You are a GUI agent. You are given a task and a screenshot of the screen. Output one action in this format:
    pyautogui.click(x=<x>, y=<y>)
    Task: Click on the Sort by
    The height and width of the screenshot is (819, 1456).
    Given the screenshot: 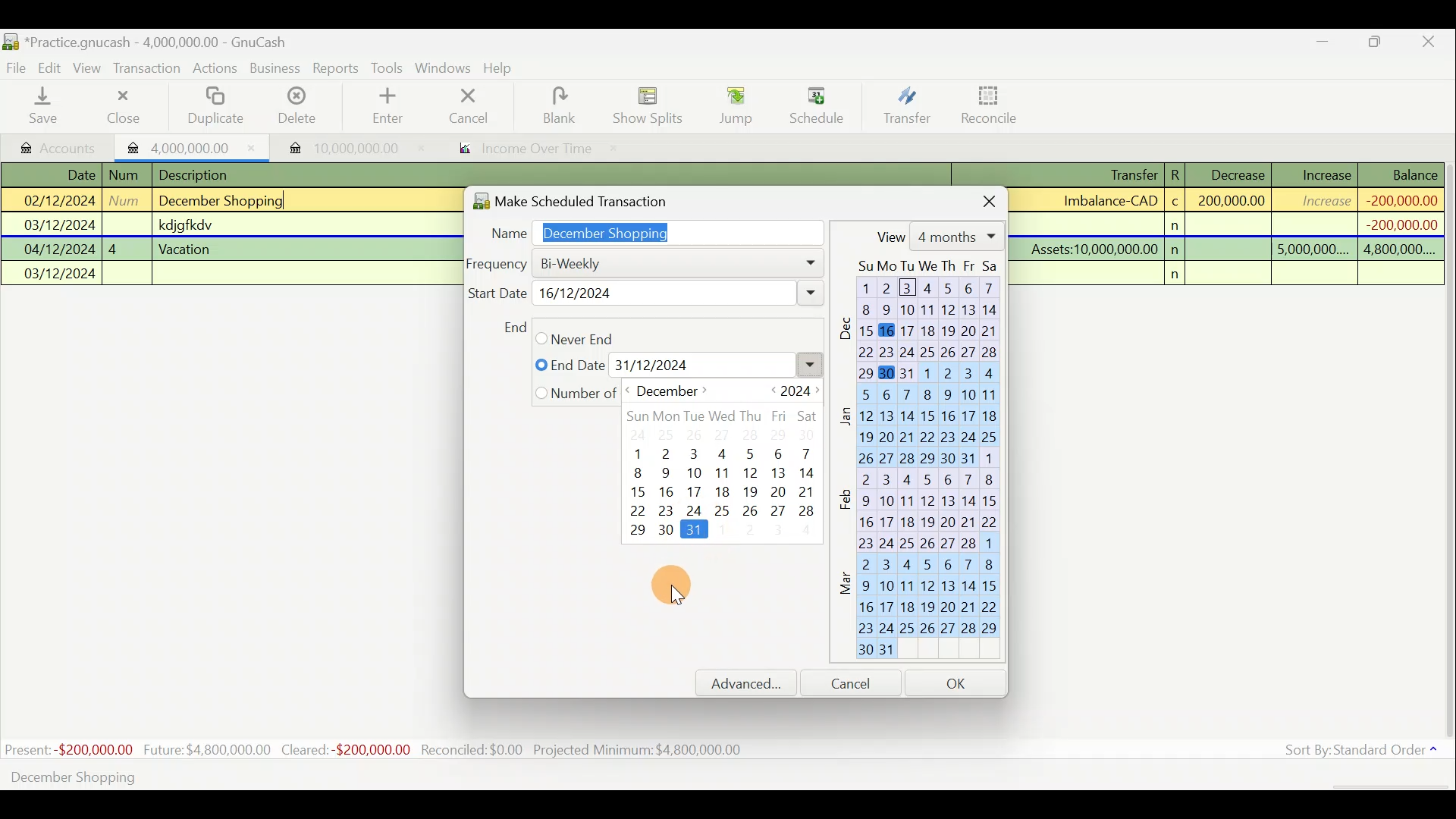 What is the action you would take?
    pyautogui.click(x=1364, y=753)
    